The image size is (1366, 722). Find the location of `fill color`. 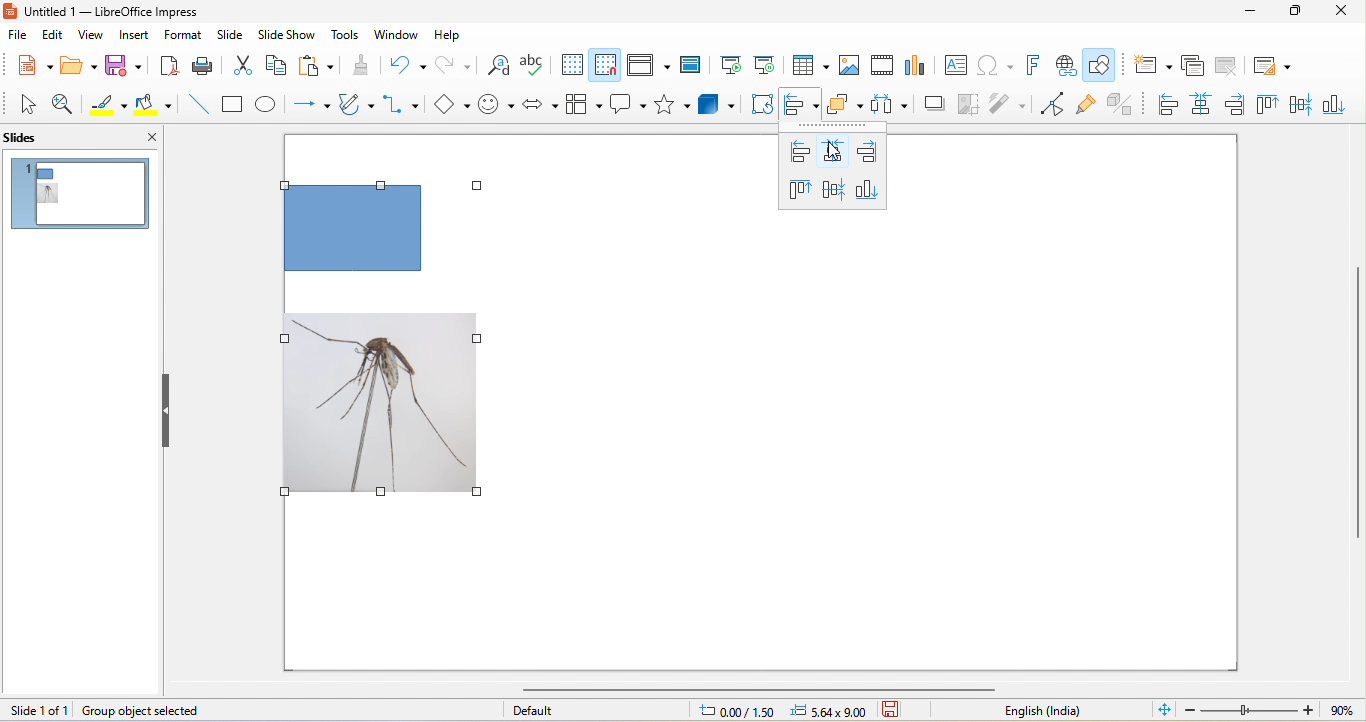

fill color is located at coordinates (158, 105).